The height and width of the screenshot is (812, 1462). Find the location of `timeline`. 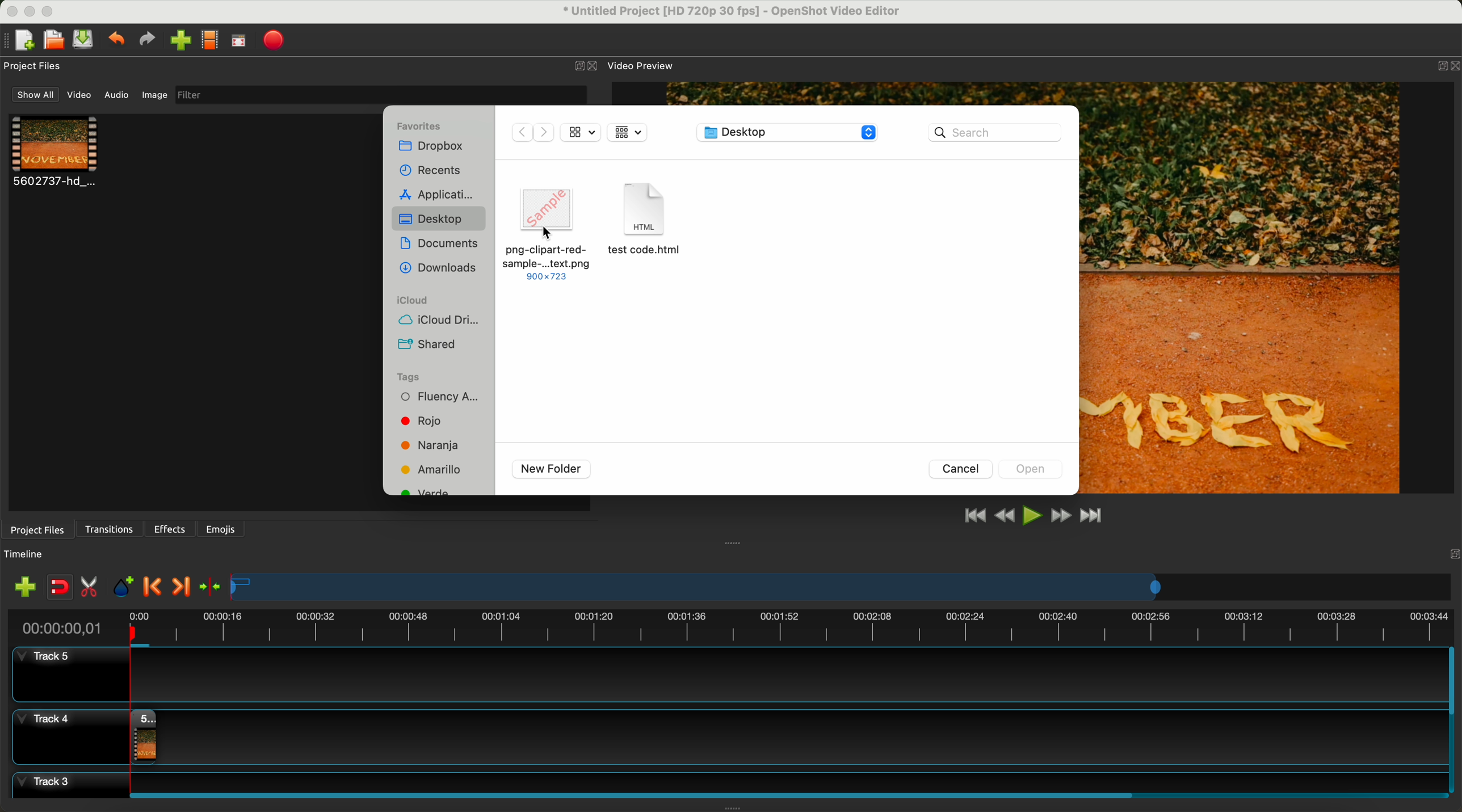

timeline is located at coordinates (842, 588).